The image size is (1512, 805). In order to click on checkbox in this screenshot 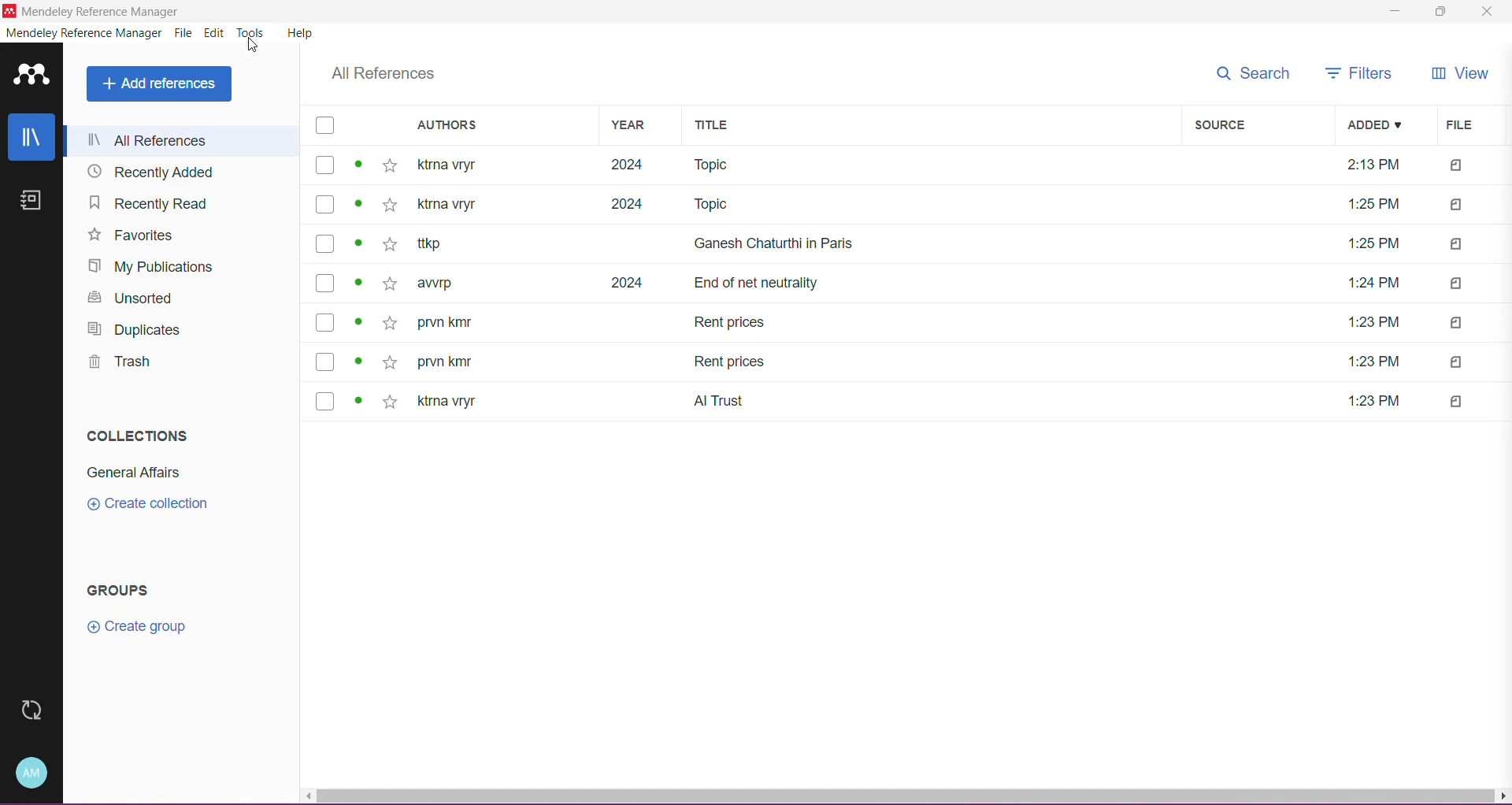, I will do `click(324, 283)`.